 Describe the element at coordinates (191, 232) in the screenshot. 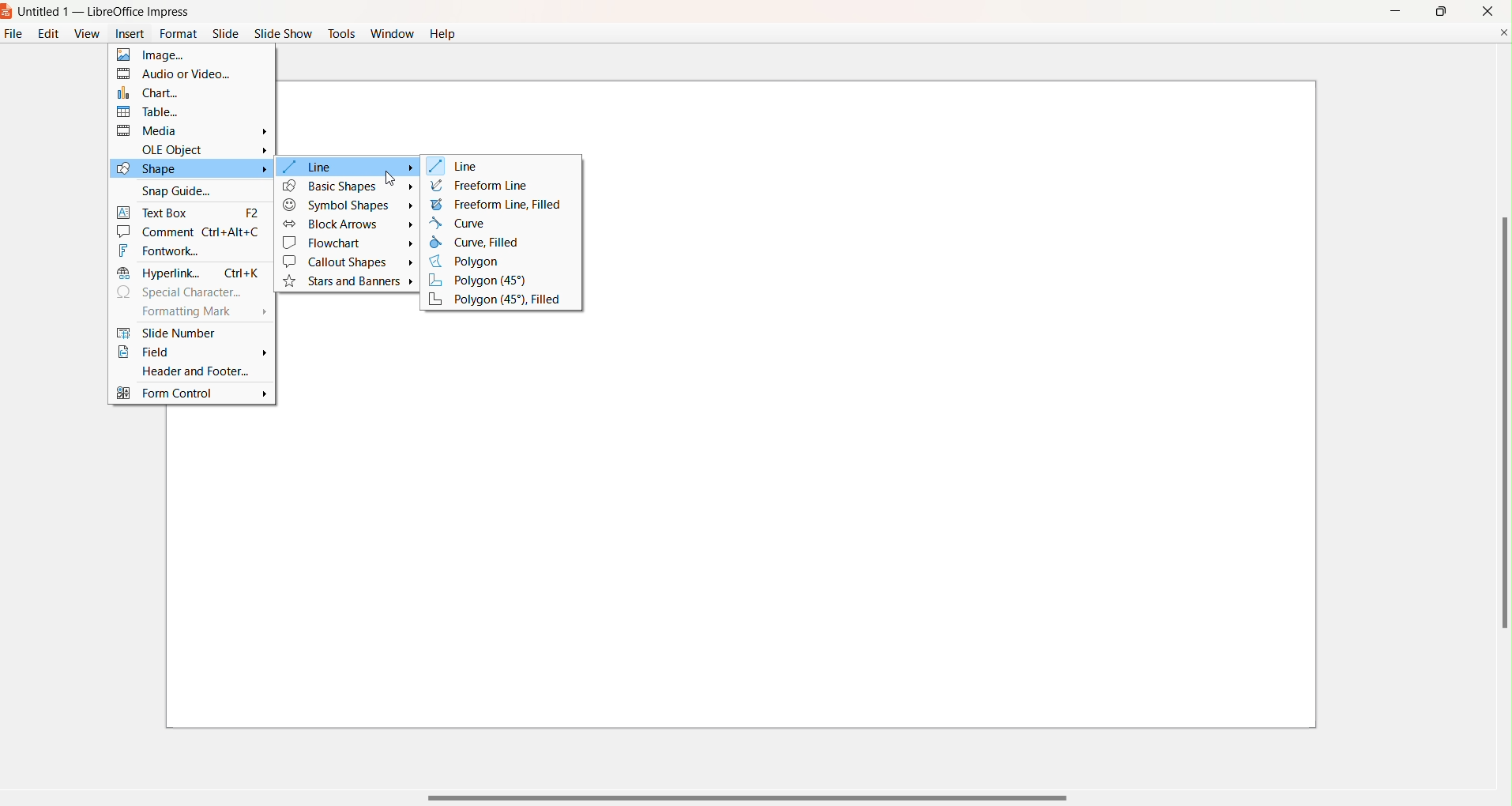

I see `Comment Ctrl+Alt+C` at that location.